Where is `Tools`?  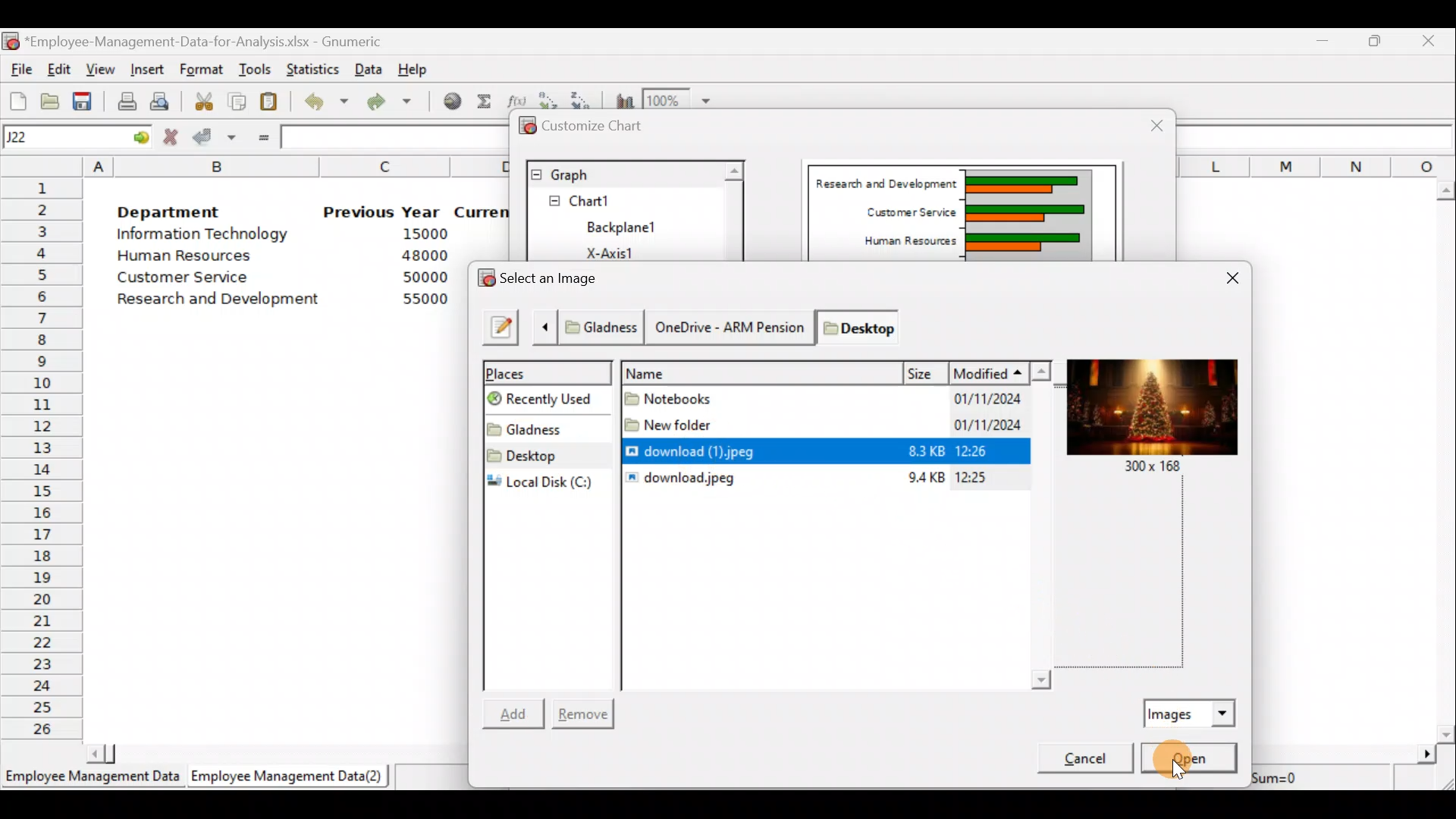 Tools is located at coordinates (255, 67).